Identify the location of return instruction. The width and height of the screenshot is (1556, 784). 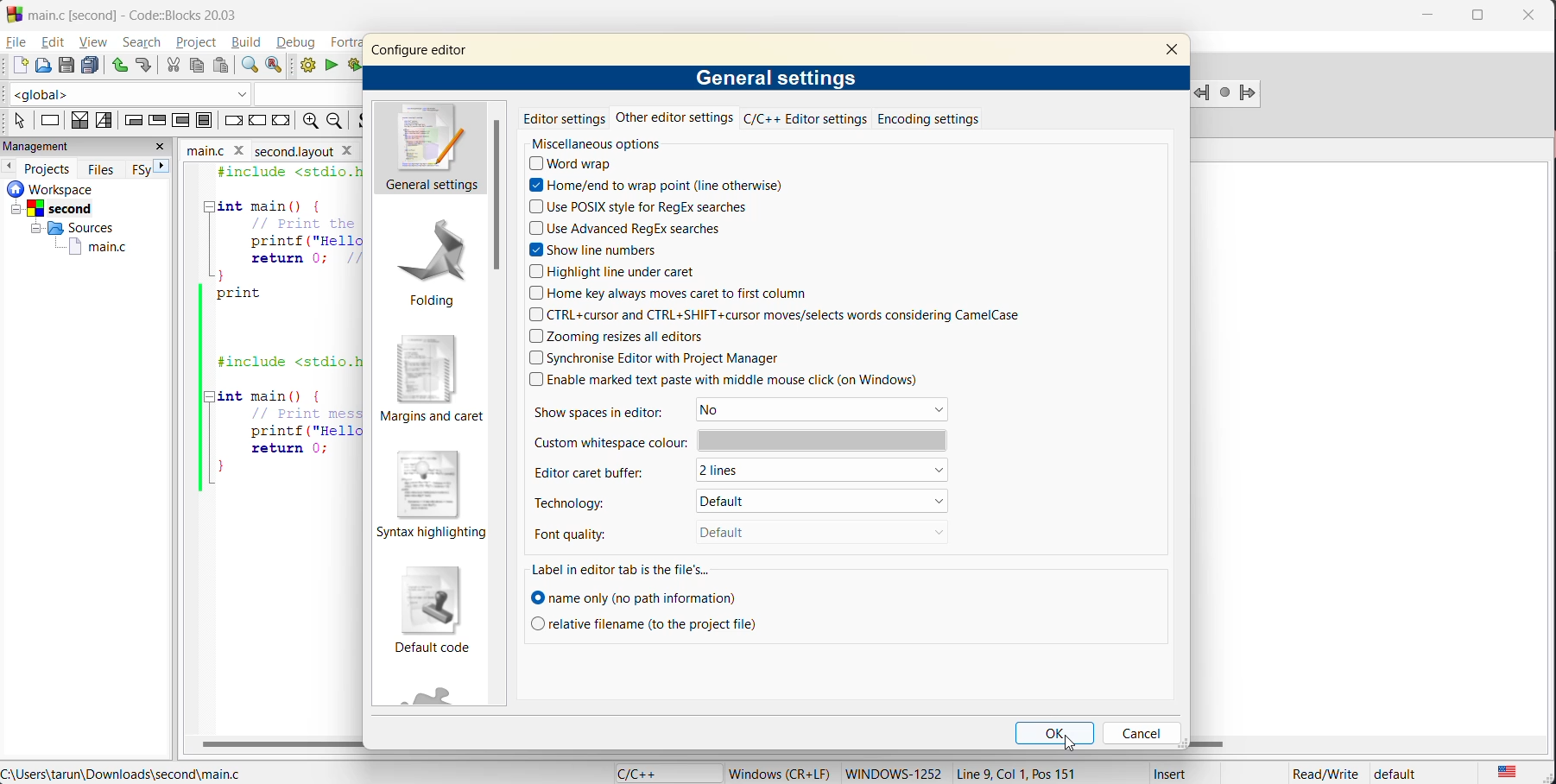
(284, 122).